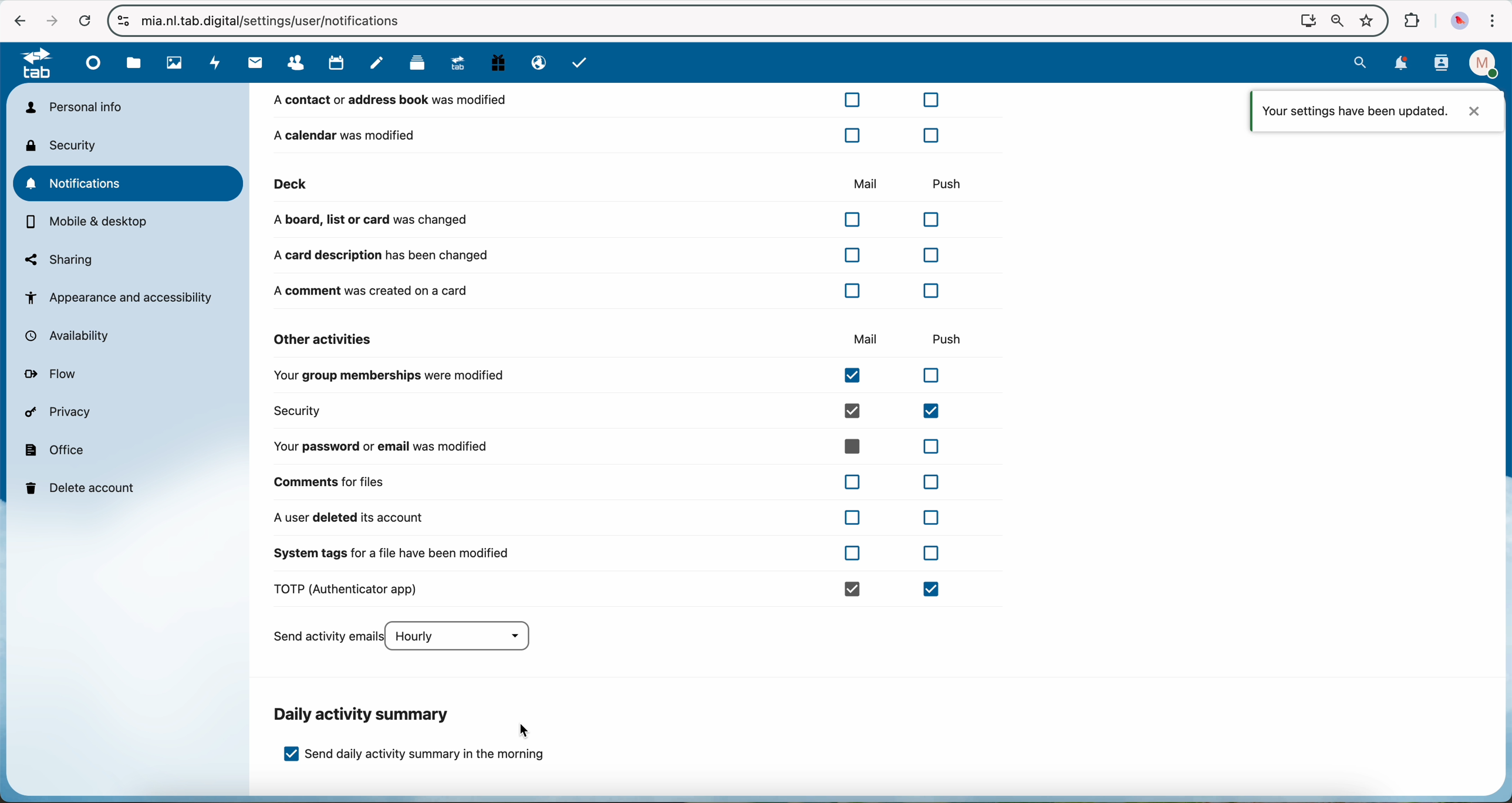  Describe the element at coordinates (612, 220) in the screenshot. I see `a board, list or card was changed` at that location.